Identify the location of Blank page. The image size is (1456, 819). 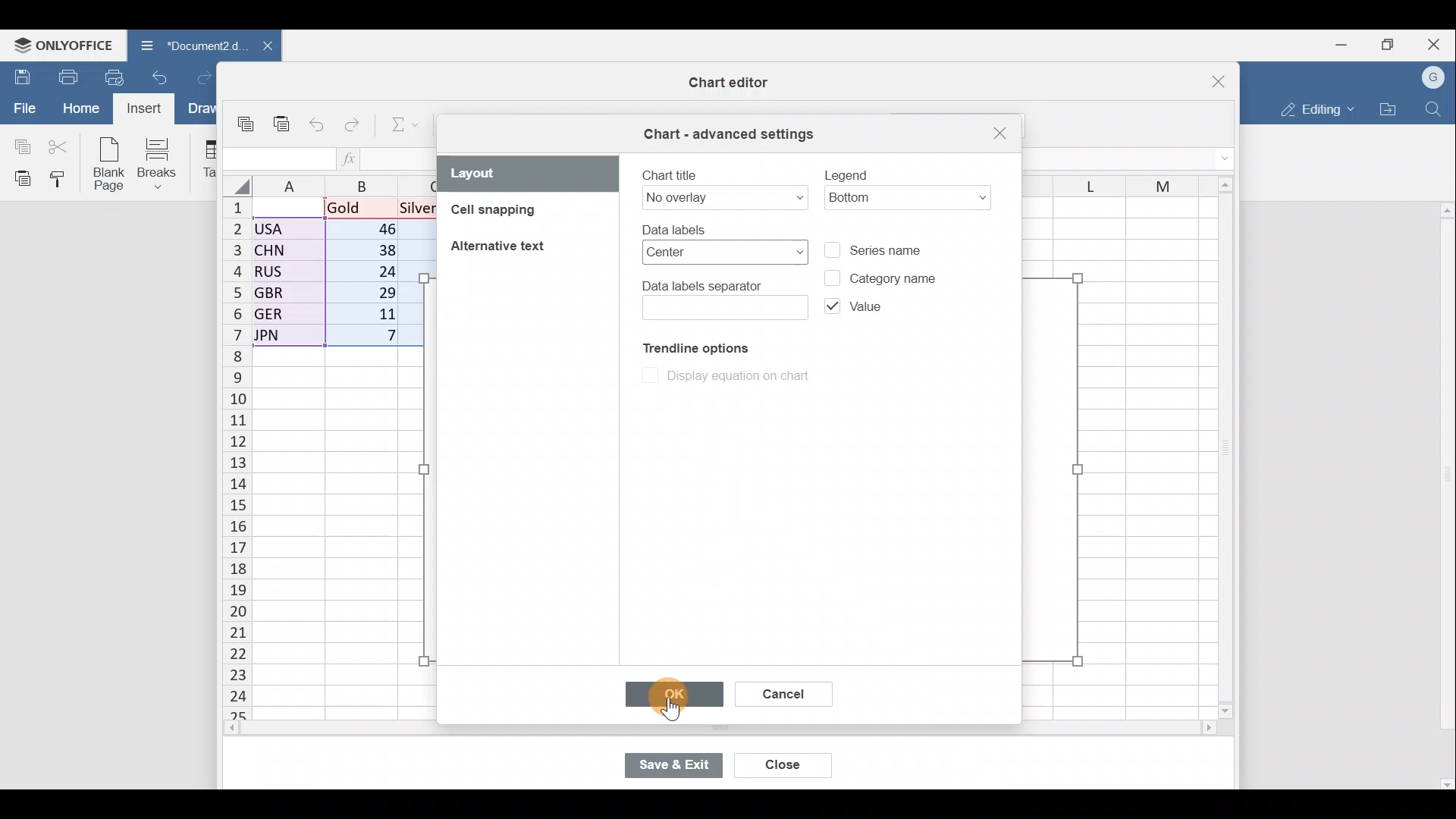
(105, 162).